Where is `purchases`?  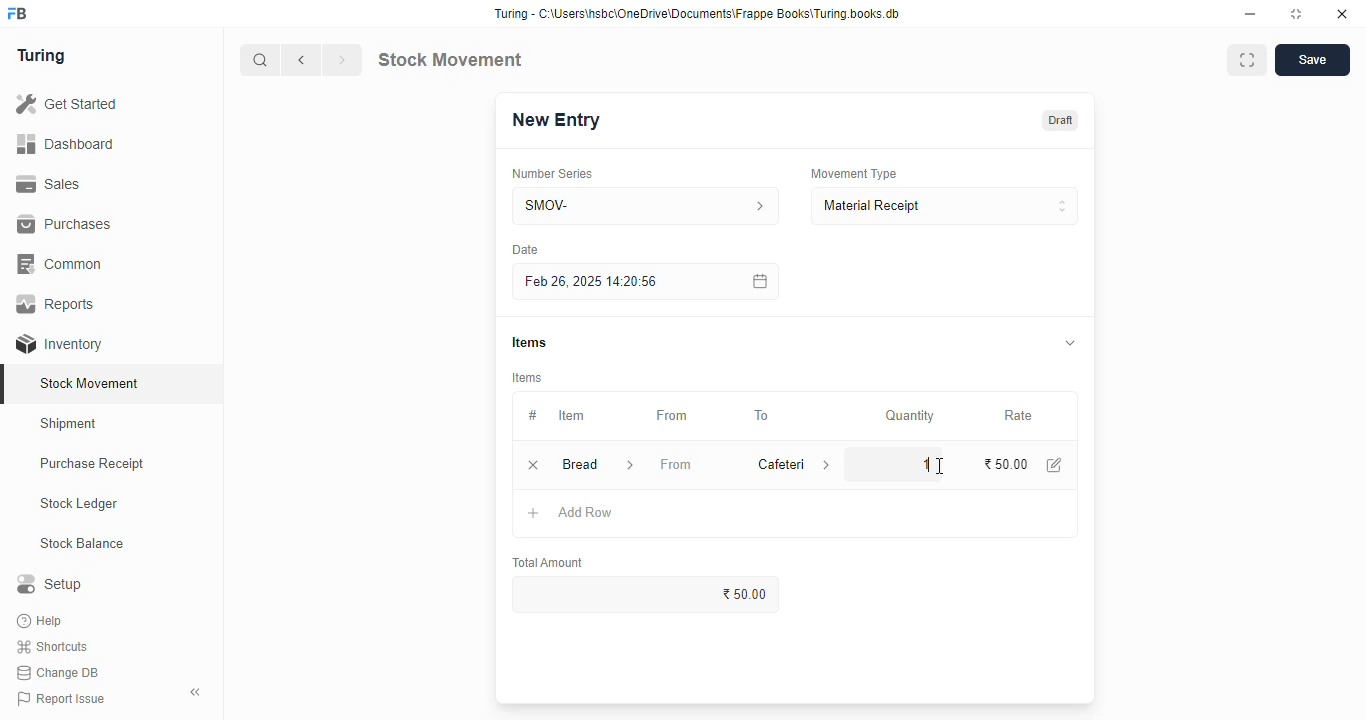
purchases is located at coordinates (64, 224).